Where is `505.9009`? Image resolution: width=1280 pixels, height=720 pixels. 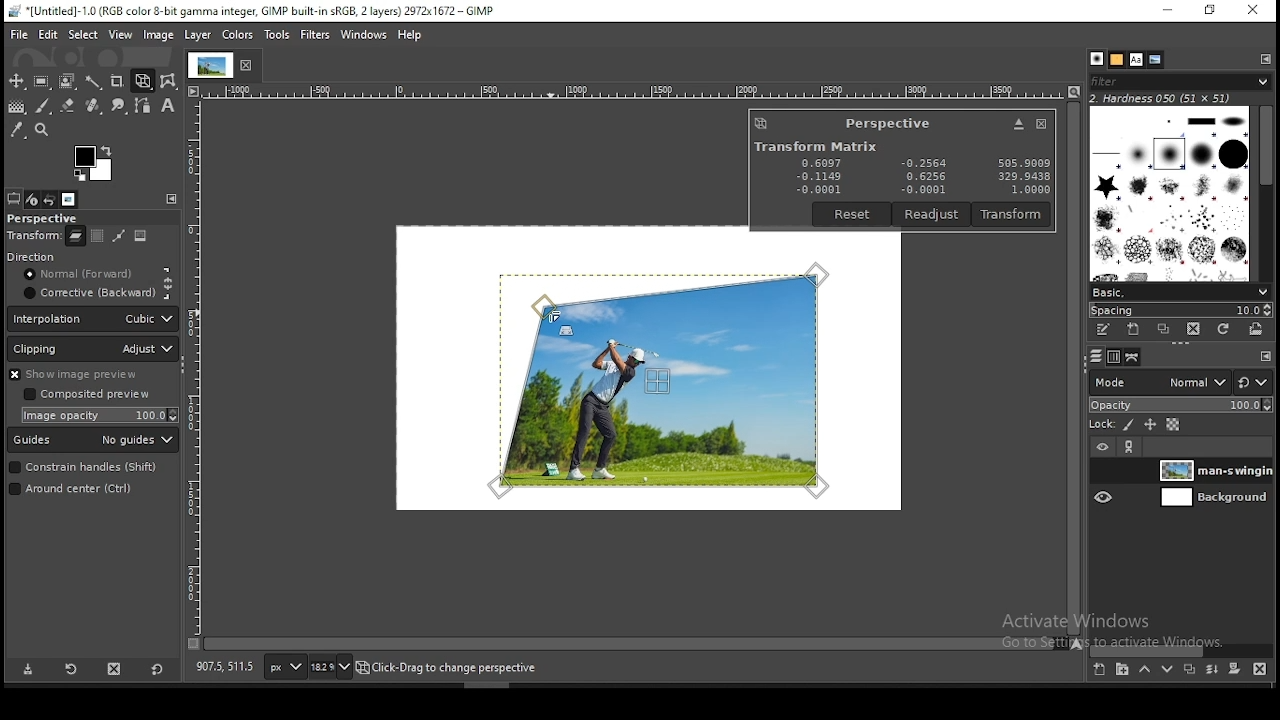
505.9009 is located at coordinates (1023, 162).